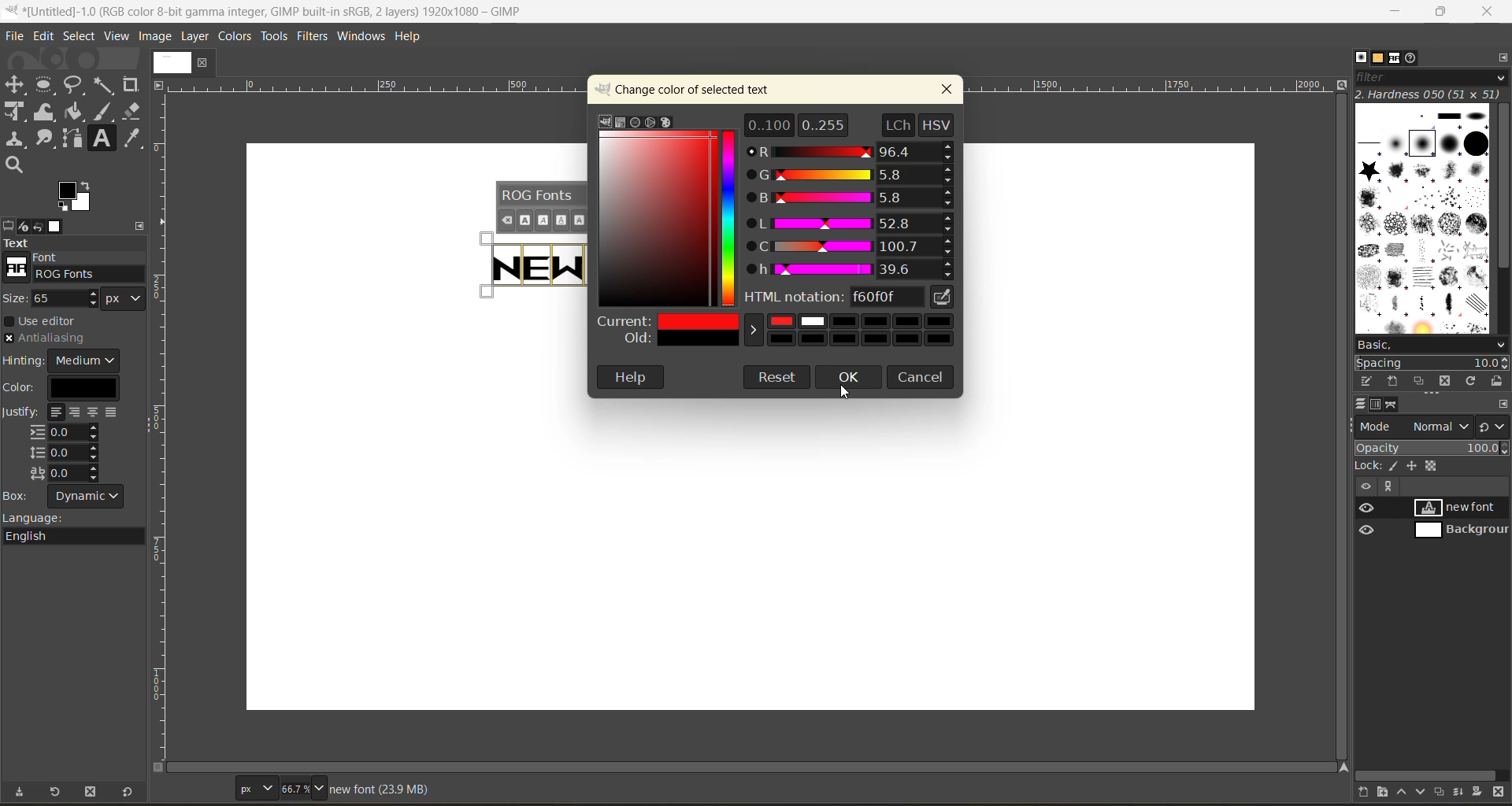 The height and width of the screenshot is (806, 1512). Describe the element at coordinates (1495, 427) in the screenshot. I see `switch to another group of modes` at that location.